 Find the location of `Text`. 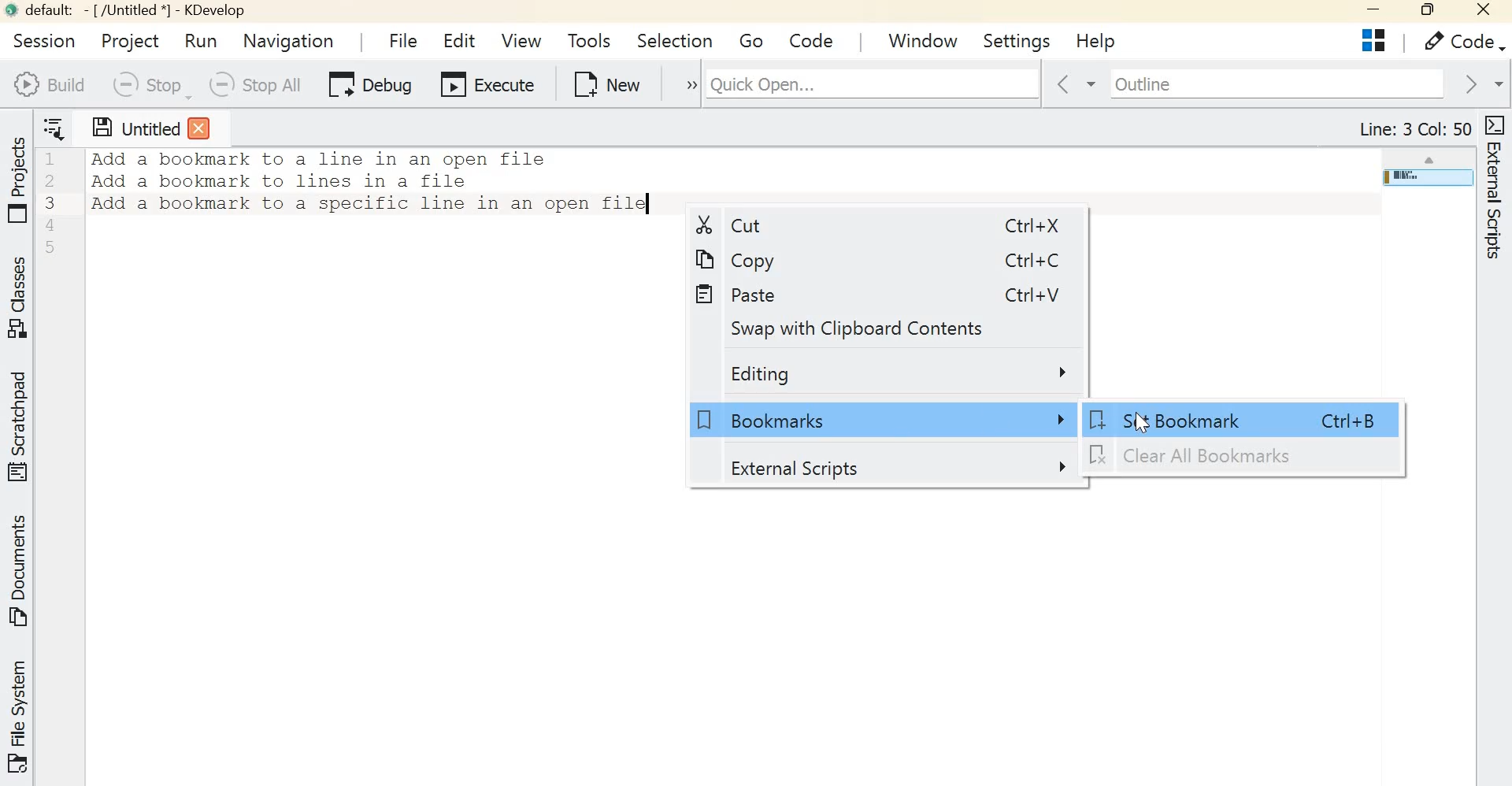

Text is located at coordinates (372, 182).